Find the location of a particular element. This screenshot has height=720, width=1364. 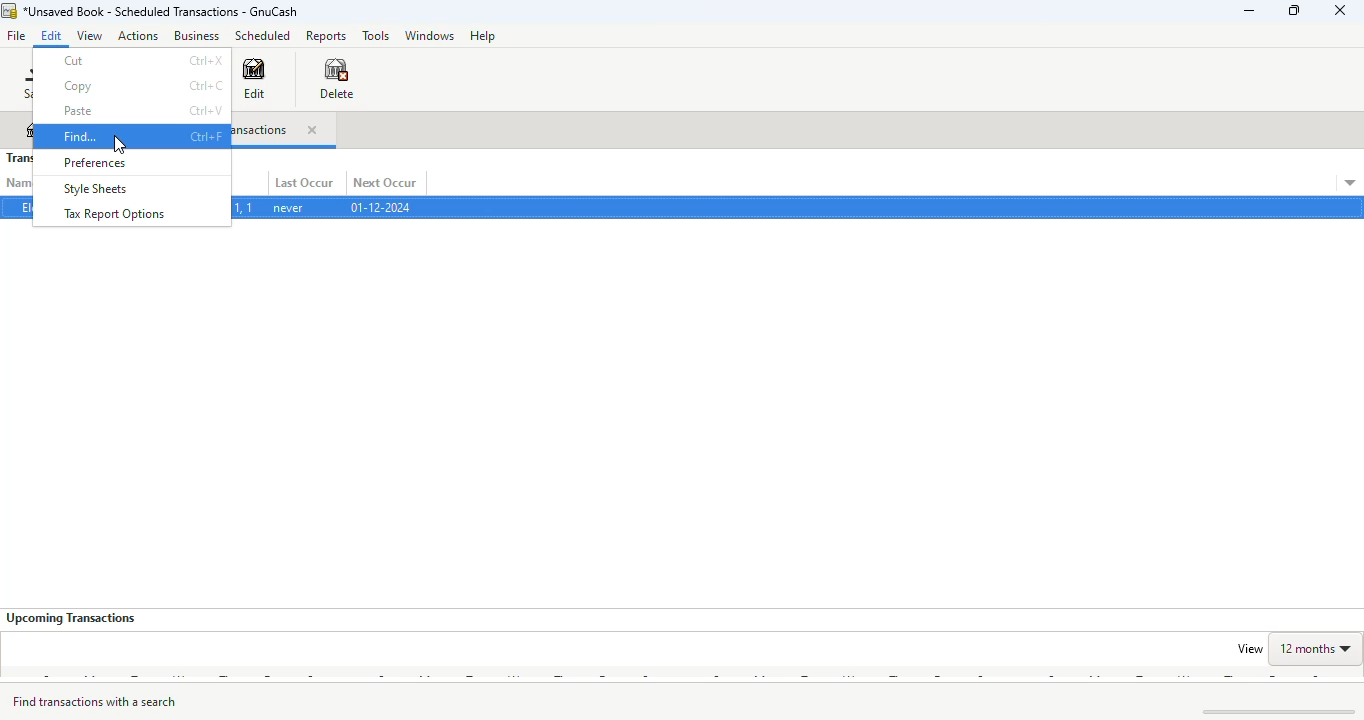

transaction details is located at coordinates (1350, 183).